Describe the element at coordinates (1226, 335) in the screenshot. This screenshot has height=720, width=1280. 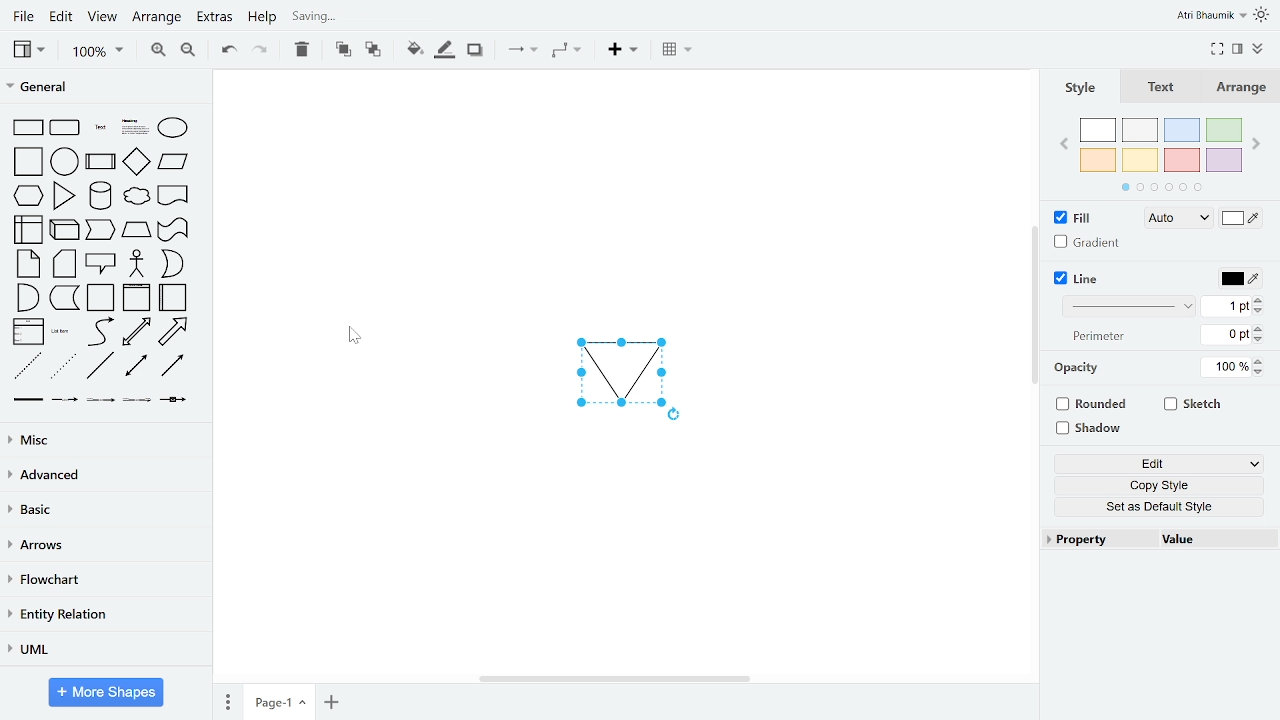
I see `current perimeter` at that location.